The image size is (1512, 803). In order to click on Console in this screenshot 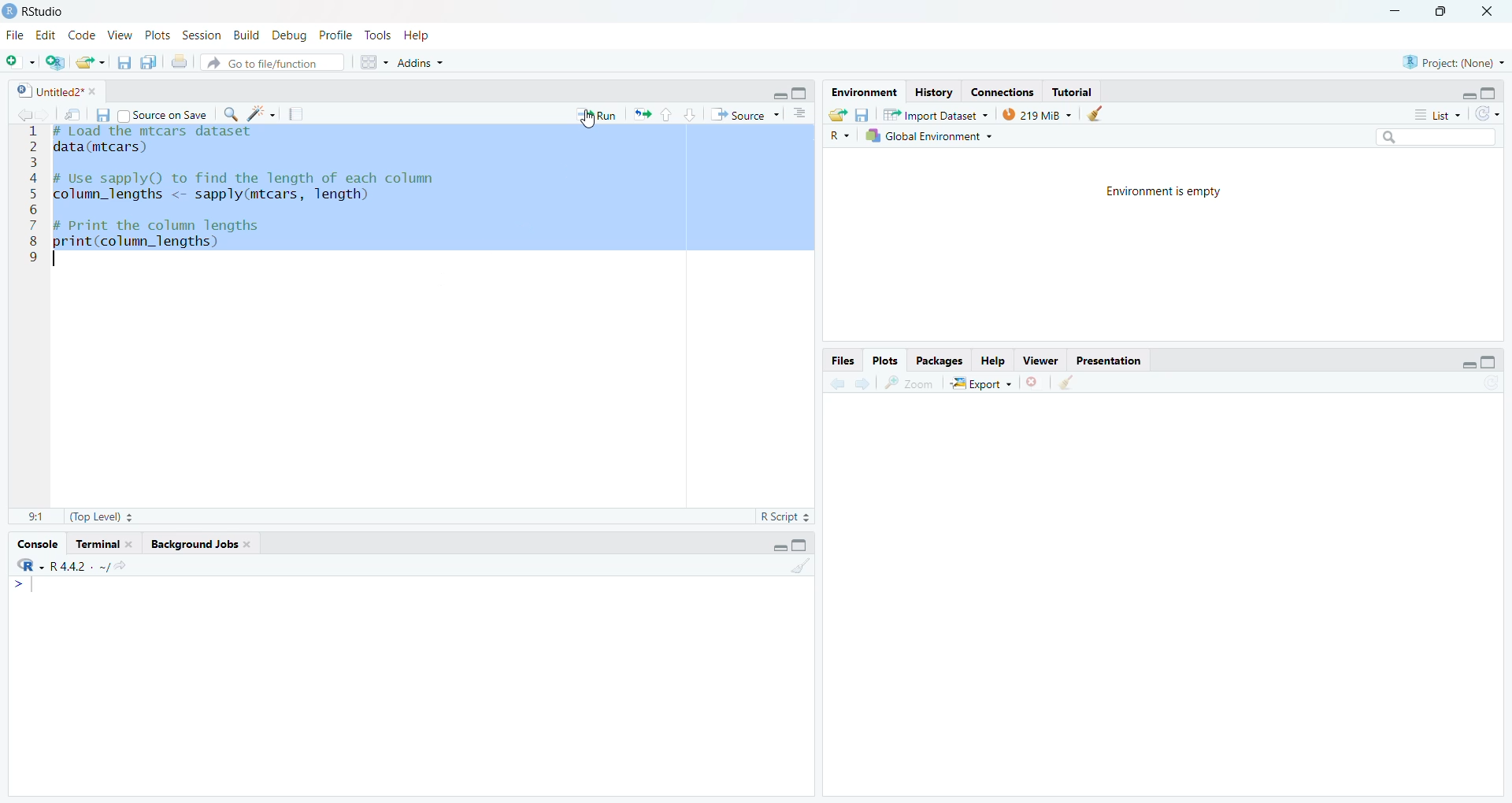, I will do `click(411, 685)`.